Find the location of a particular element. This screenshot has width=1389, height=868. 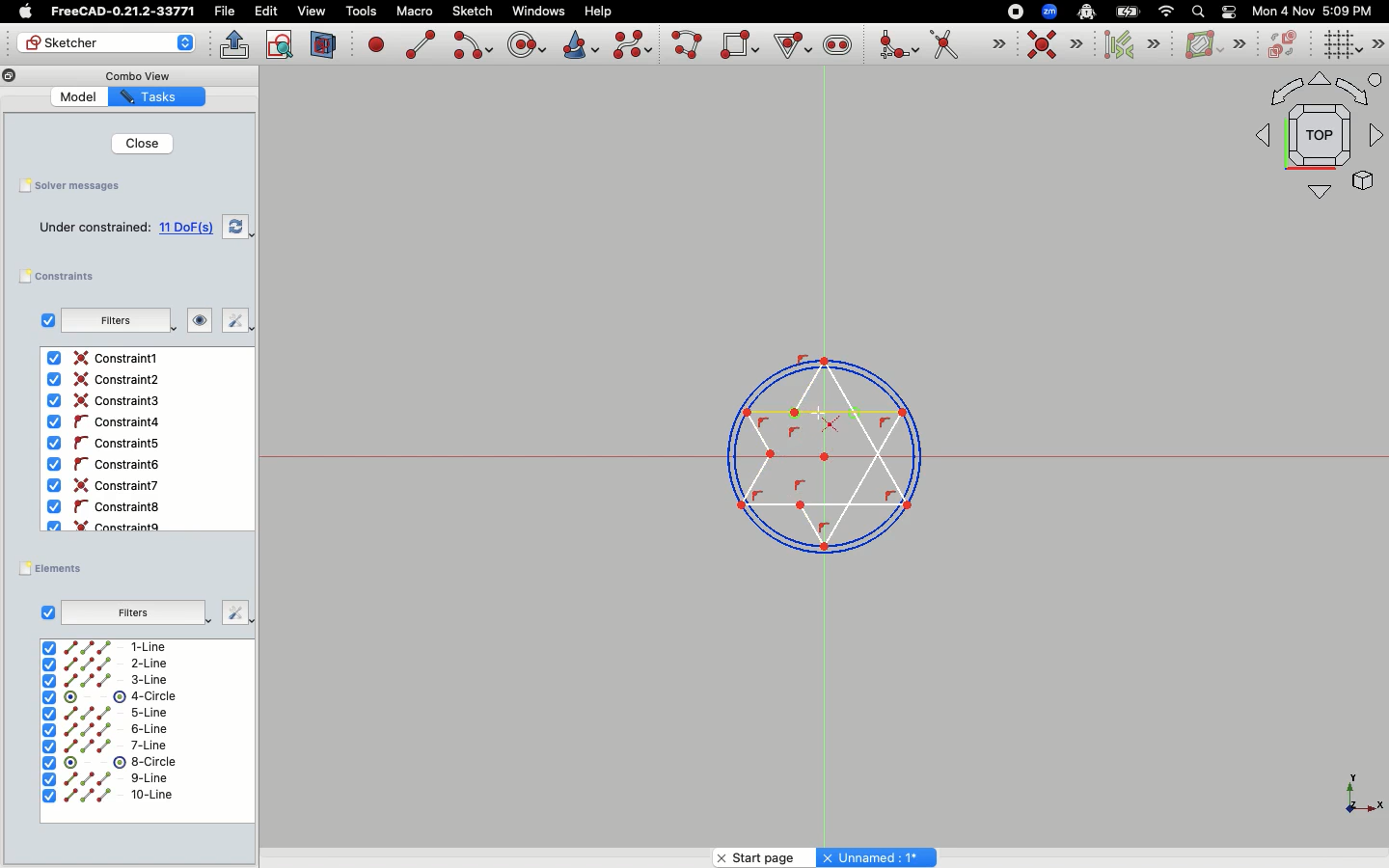

Switch virtual space is located at coordinates (1285, 45).